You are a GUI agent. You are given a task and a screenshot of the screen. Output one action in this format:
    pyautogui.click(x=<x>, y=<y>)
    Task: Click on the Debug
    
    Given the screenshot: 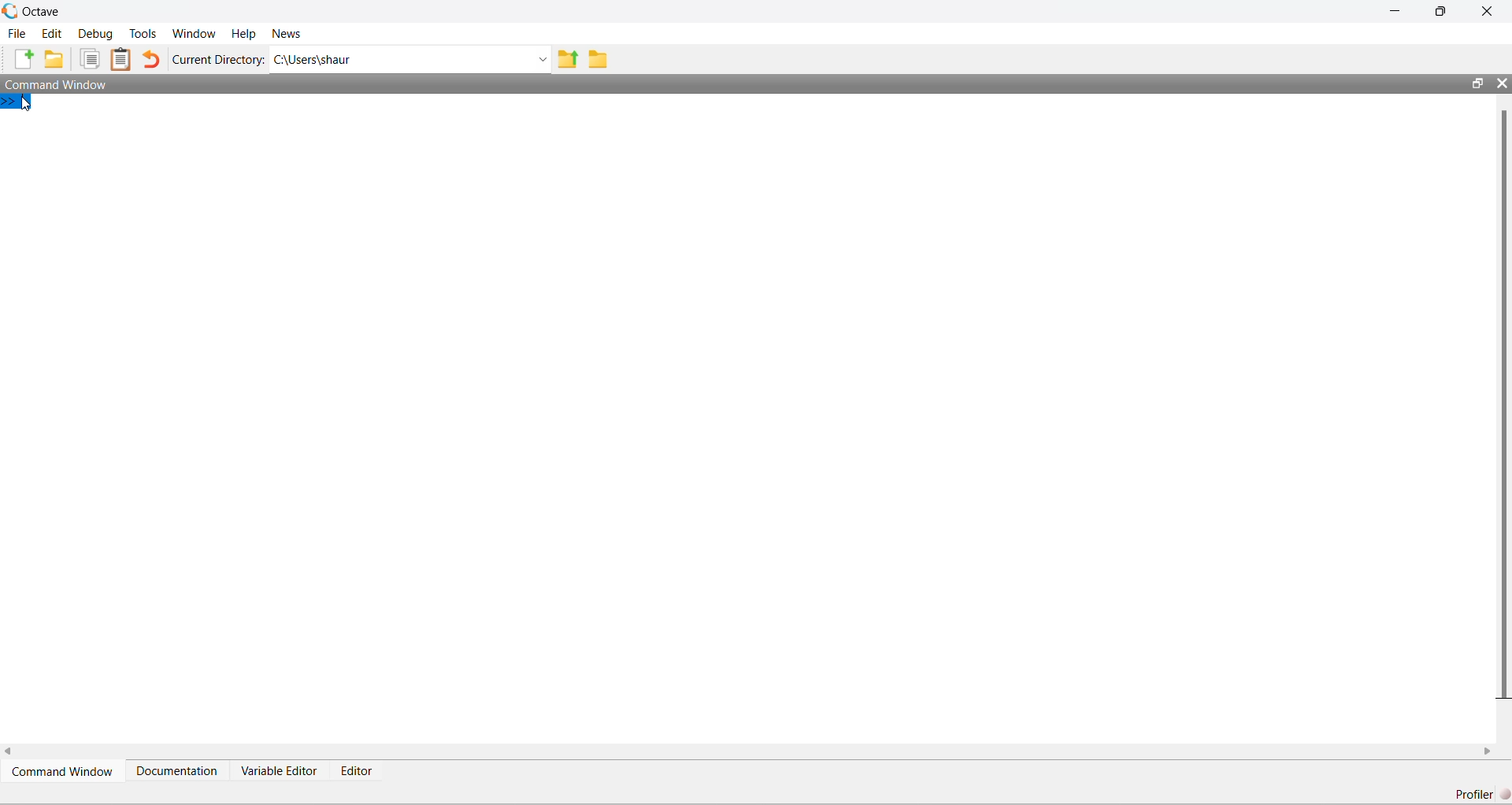 What is the action you would take?
    pyautogui.click(x=95, y=34)
    